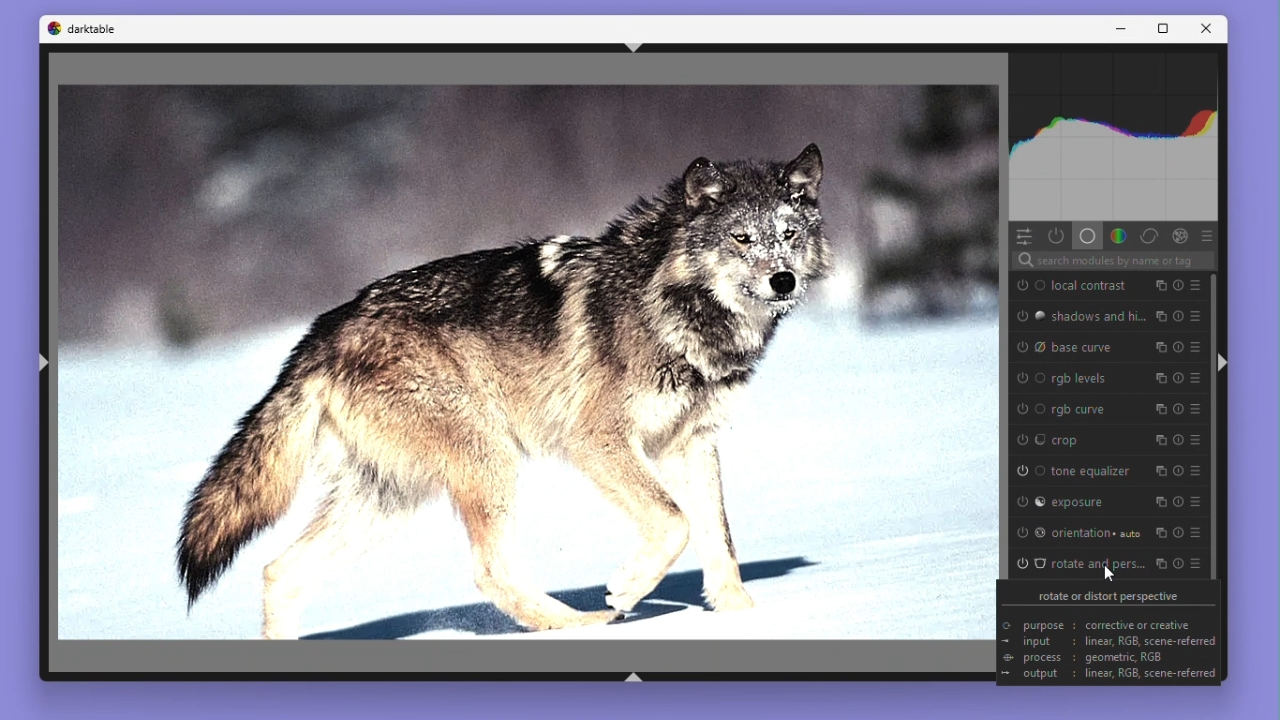 The image size is (1280, 720). What do you see at coordinates (39, 364) in the screenshot?
I see `Shift + ctrl + l` at bounding box center [39, 364].